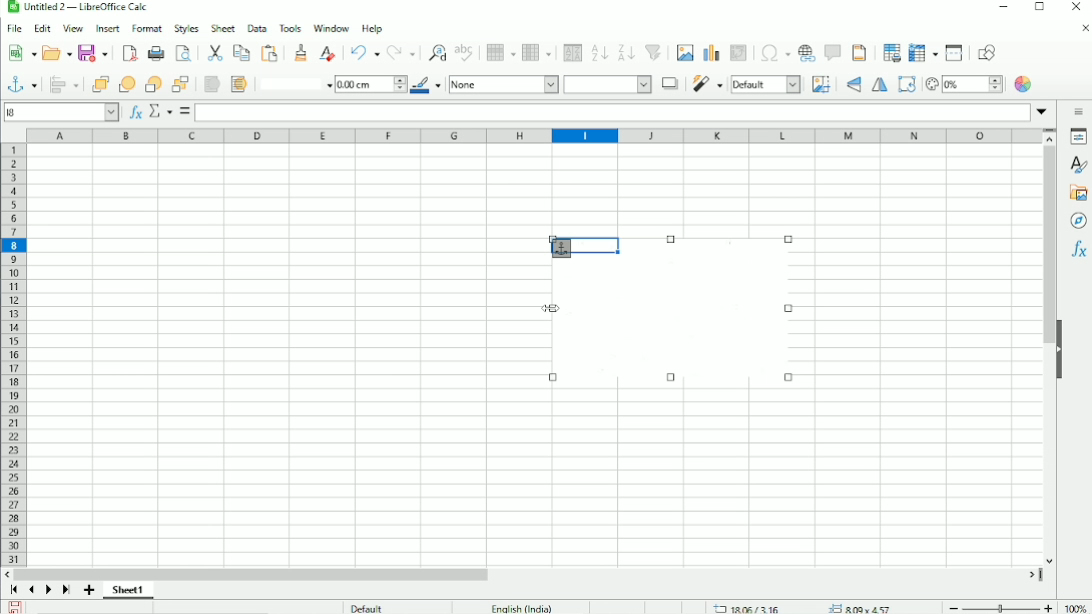 Image resolution: width=1092 pixels, height=614 pixels. I want to click on Crop image, so click(821, 84).